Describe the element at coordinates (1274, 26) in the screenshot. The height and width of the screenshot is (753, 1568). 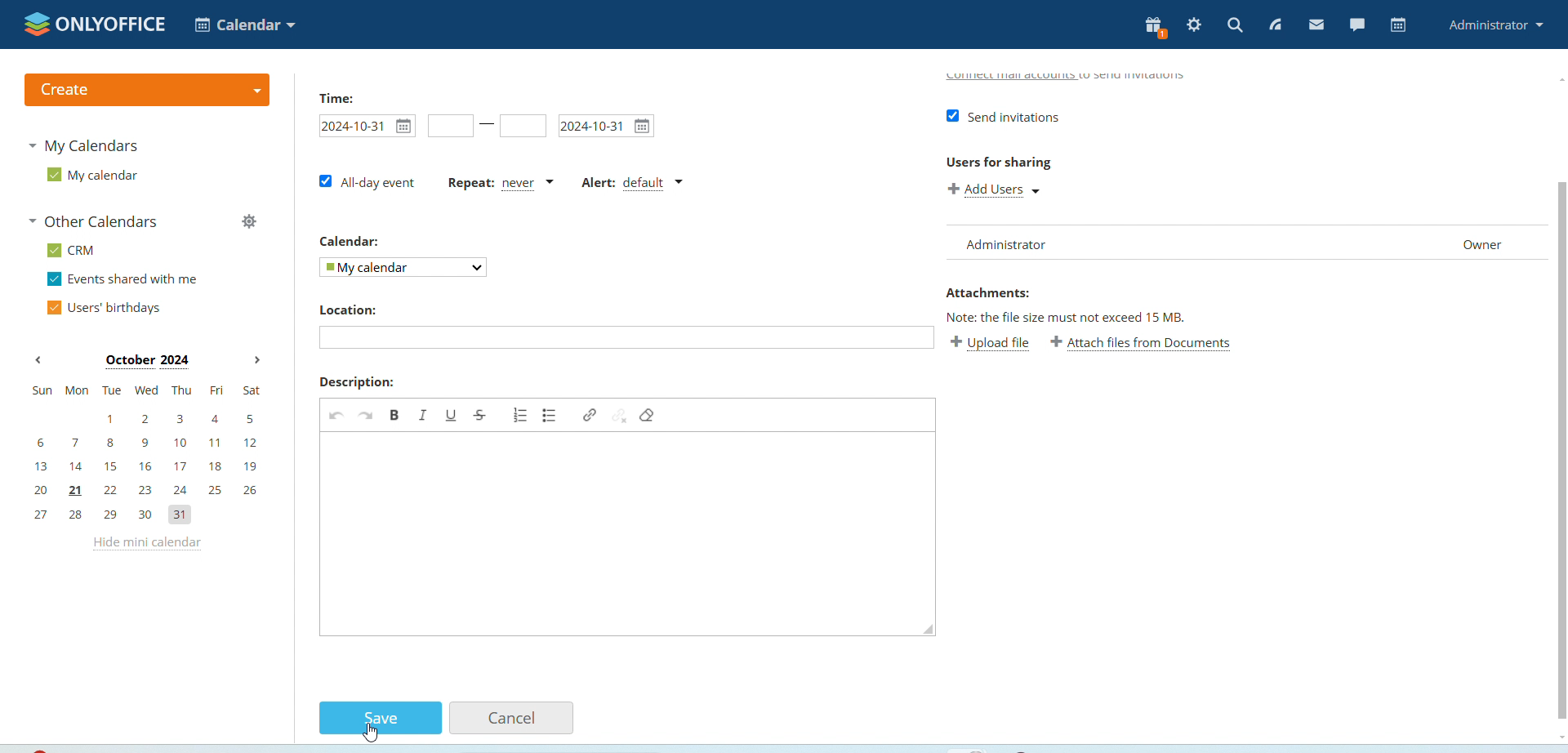
I see `feed` at that location.